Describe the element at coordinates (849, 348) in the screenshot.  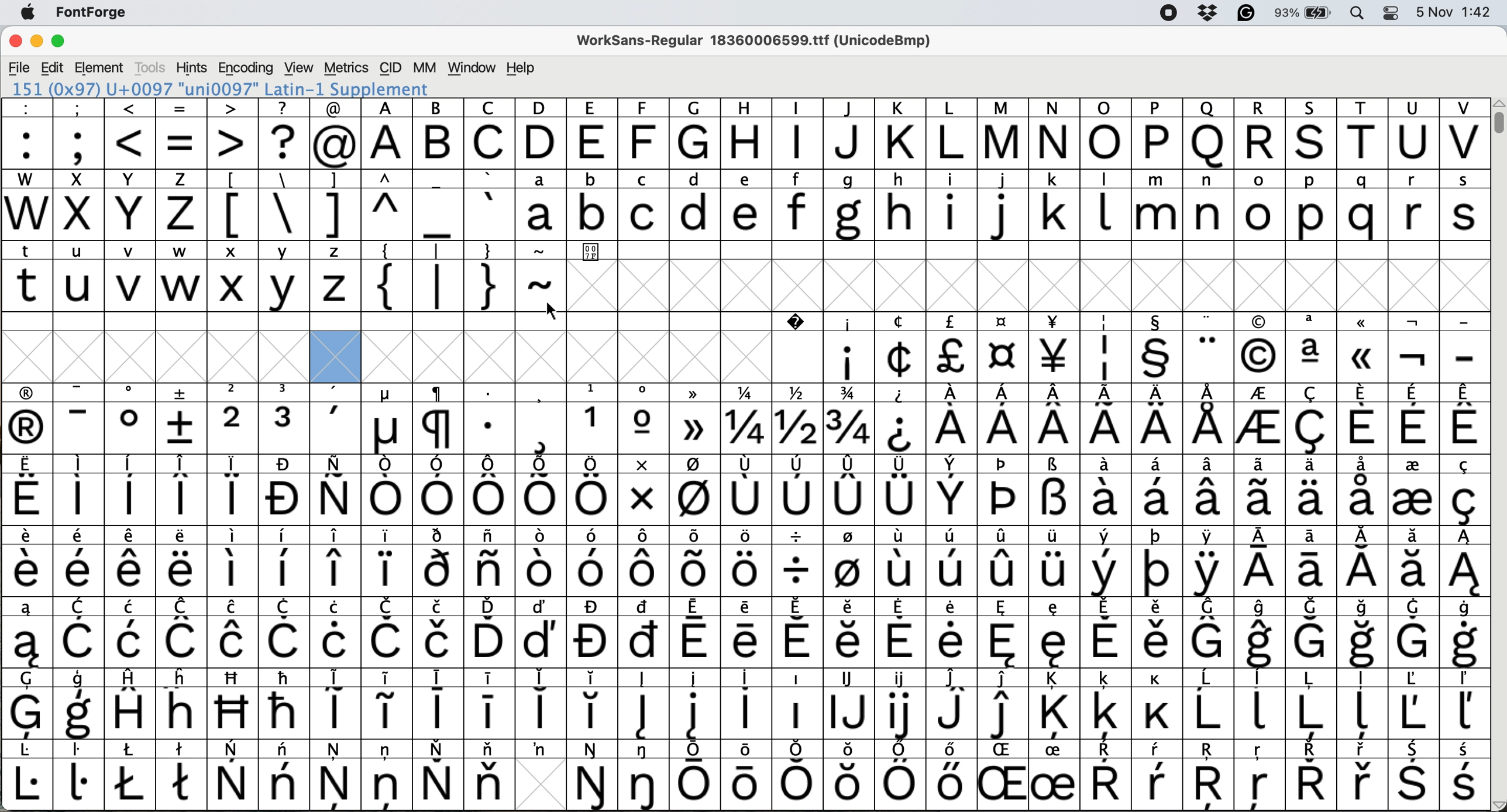
I see `symbol` at that location.